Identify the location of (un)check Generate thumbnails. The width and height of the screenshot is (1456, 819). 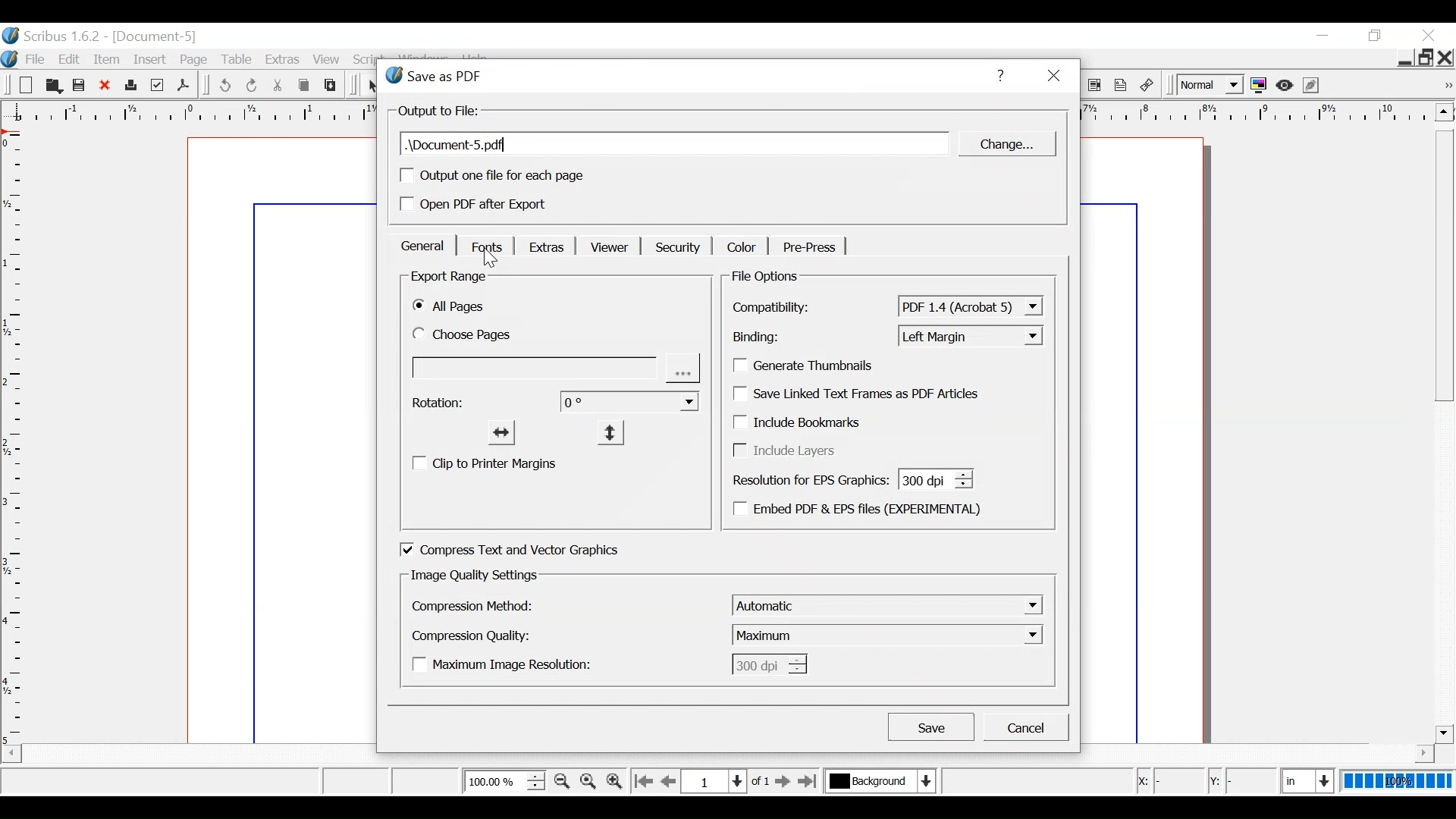
(811, 366).